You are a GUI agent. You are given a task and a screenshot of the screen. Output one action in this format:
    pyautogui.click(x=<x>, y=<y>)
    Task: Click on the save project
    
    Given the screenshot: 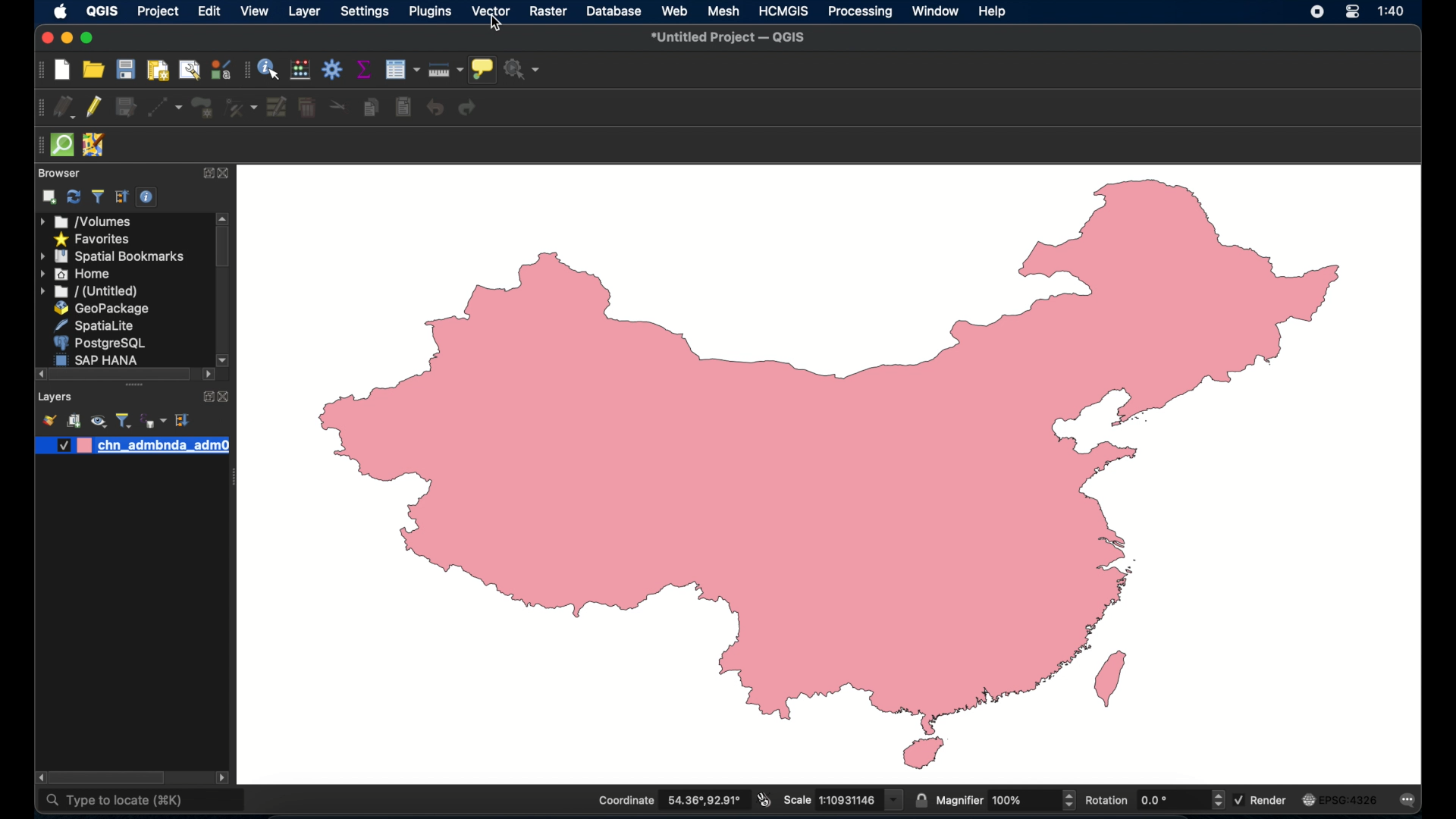 What is the action you would take?
    pyautogui.click(x=125, y=69)
    